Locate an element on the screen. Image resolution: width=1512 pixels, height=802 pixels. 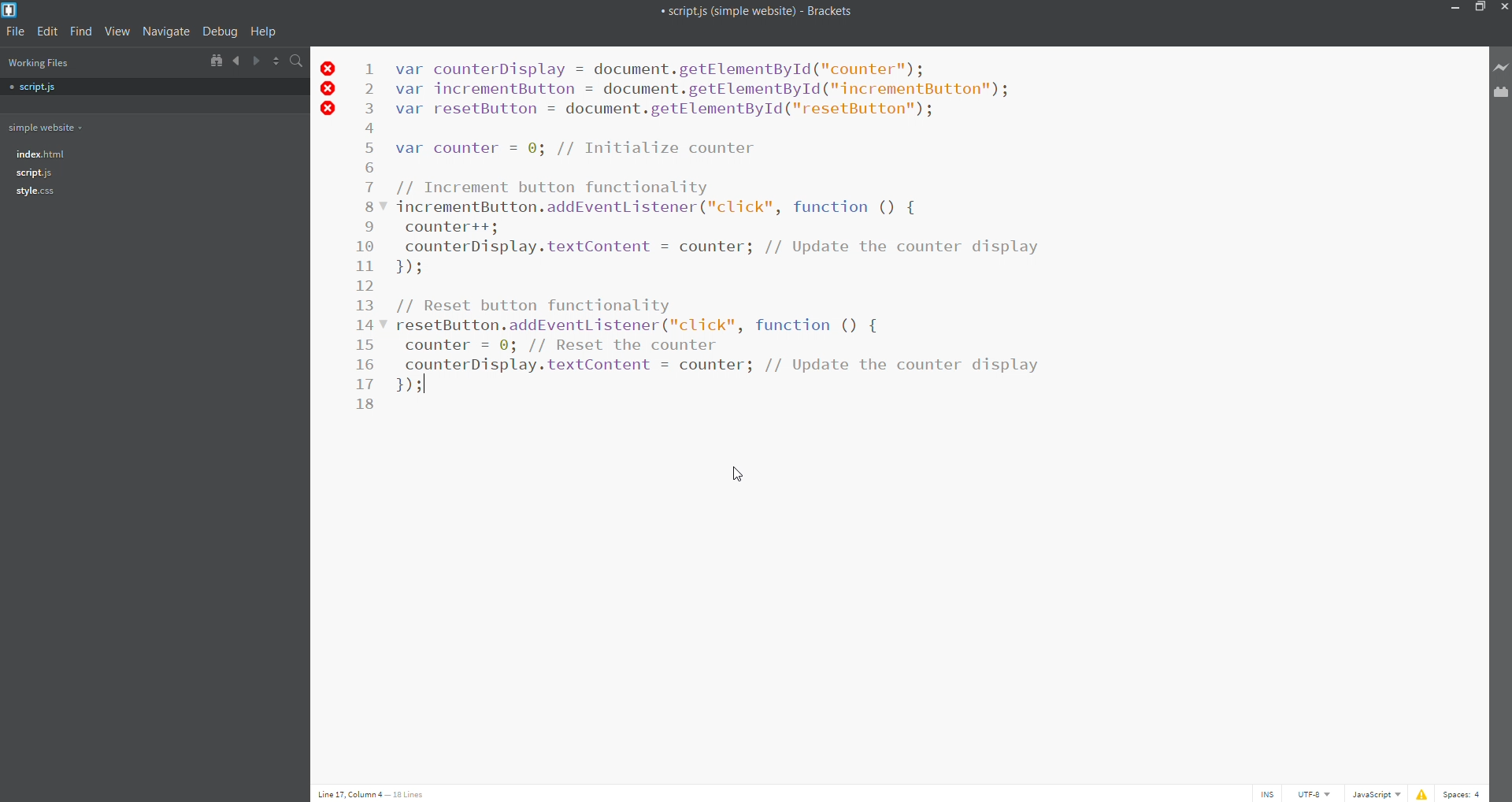
view is located at coordinates (117, 33).